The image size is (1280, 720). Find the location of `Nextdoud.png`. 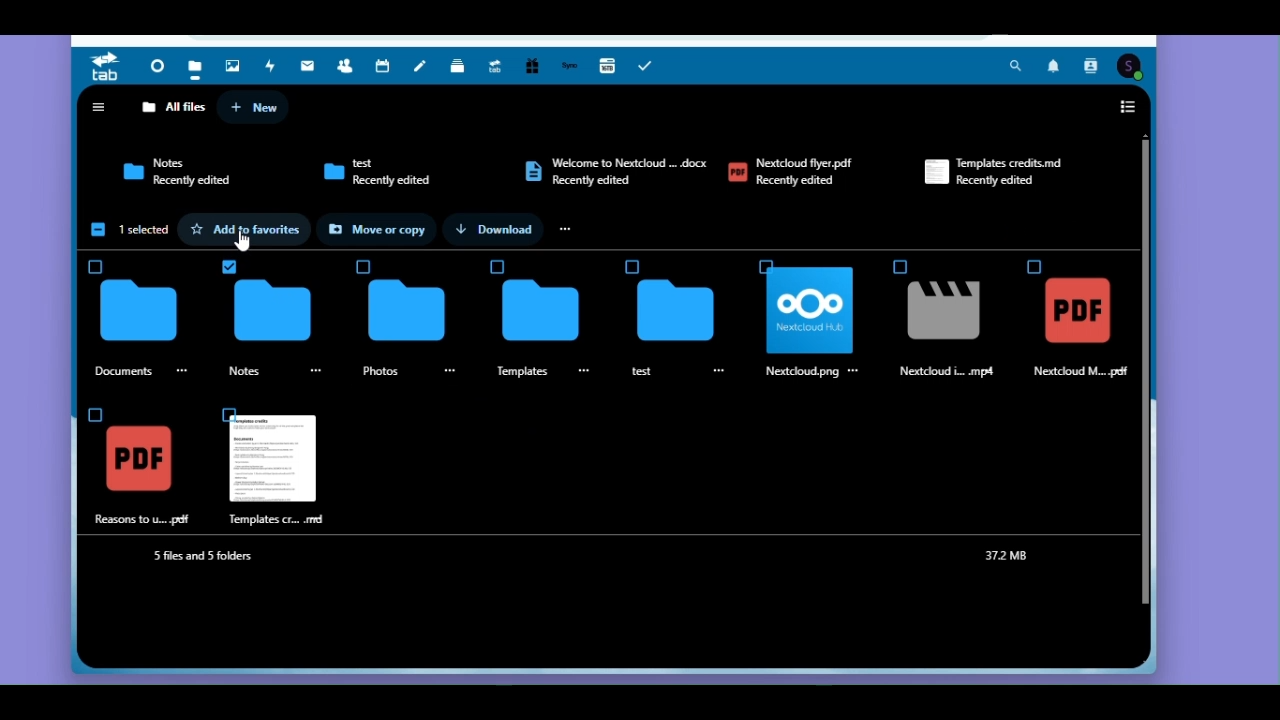

Nextdoud.png is located at coordinates (800, 373).